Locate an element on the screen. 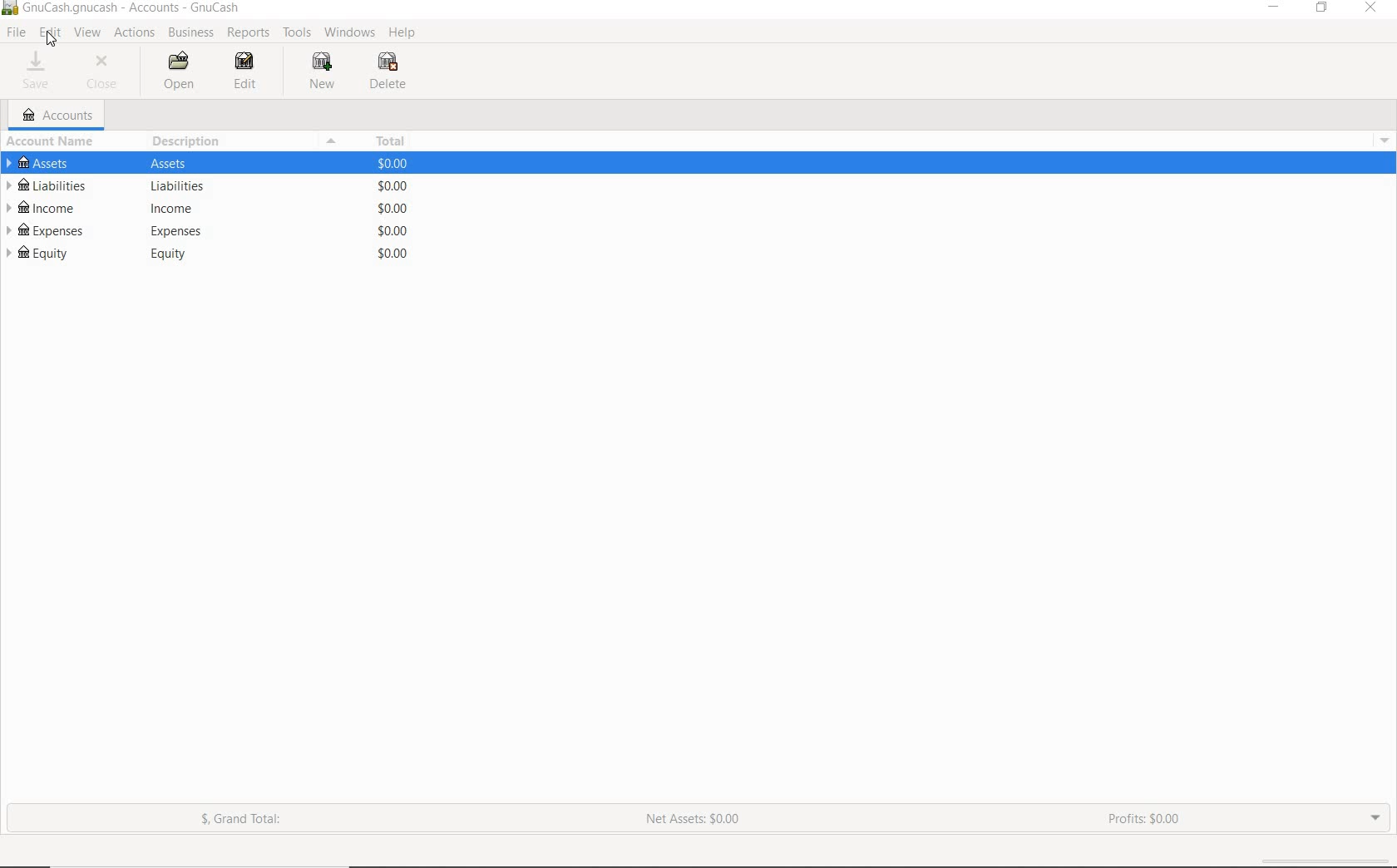 Image resolution: width=1397 pixels, height=868 pixels. FILE is located at coordinates (17, 32).